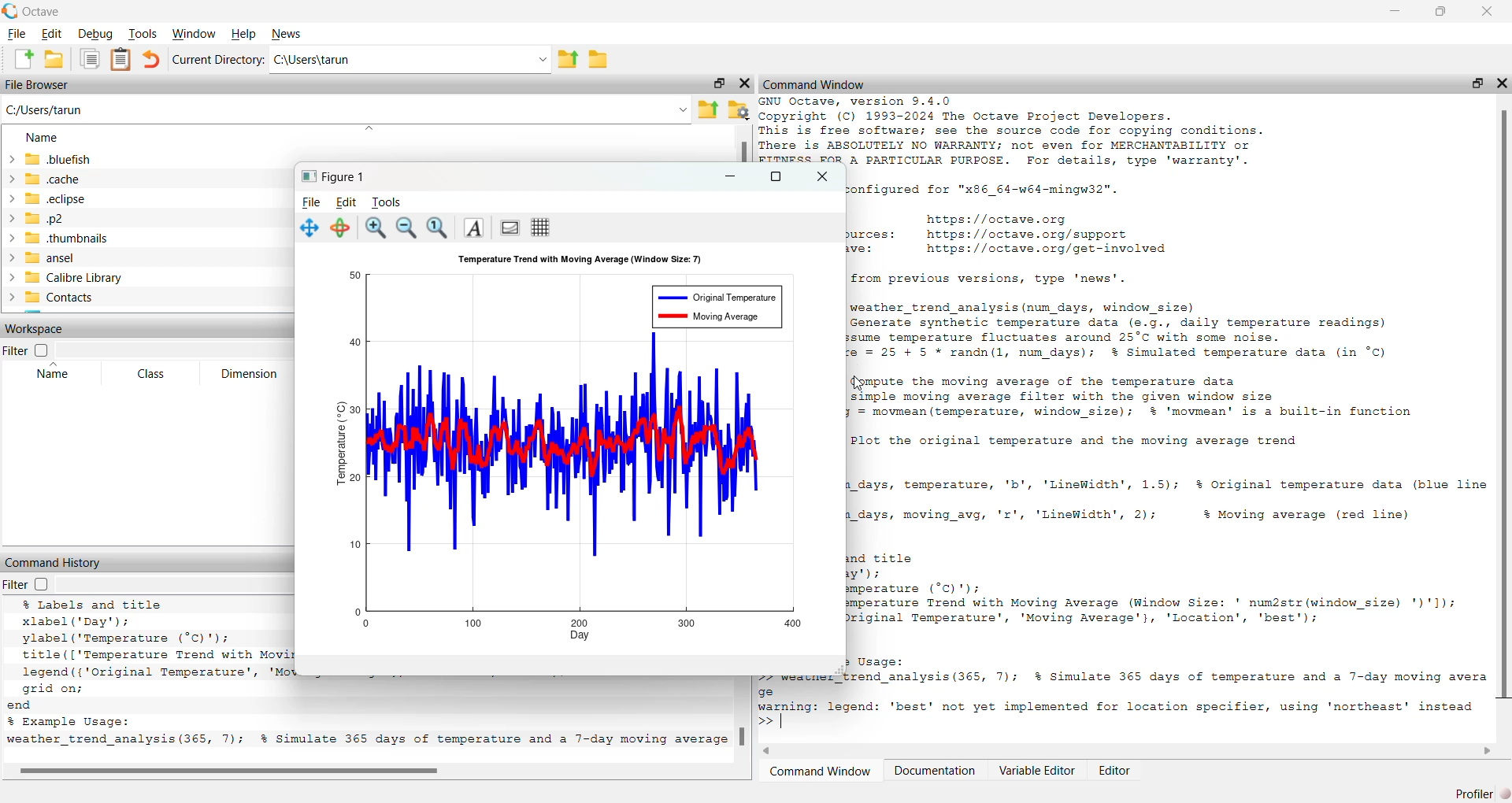 The width and height of the screenshot is (1512, 803). What do you see at coordinates (1503, 402) in the screenshot?
I see `Scrollbar` at bounding box center [1503, 402].